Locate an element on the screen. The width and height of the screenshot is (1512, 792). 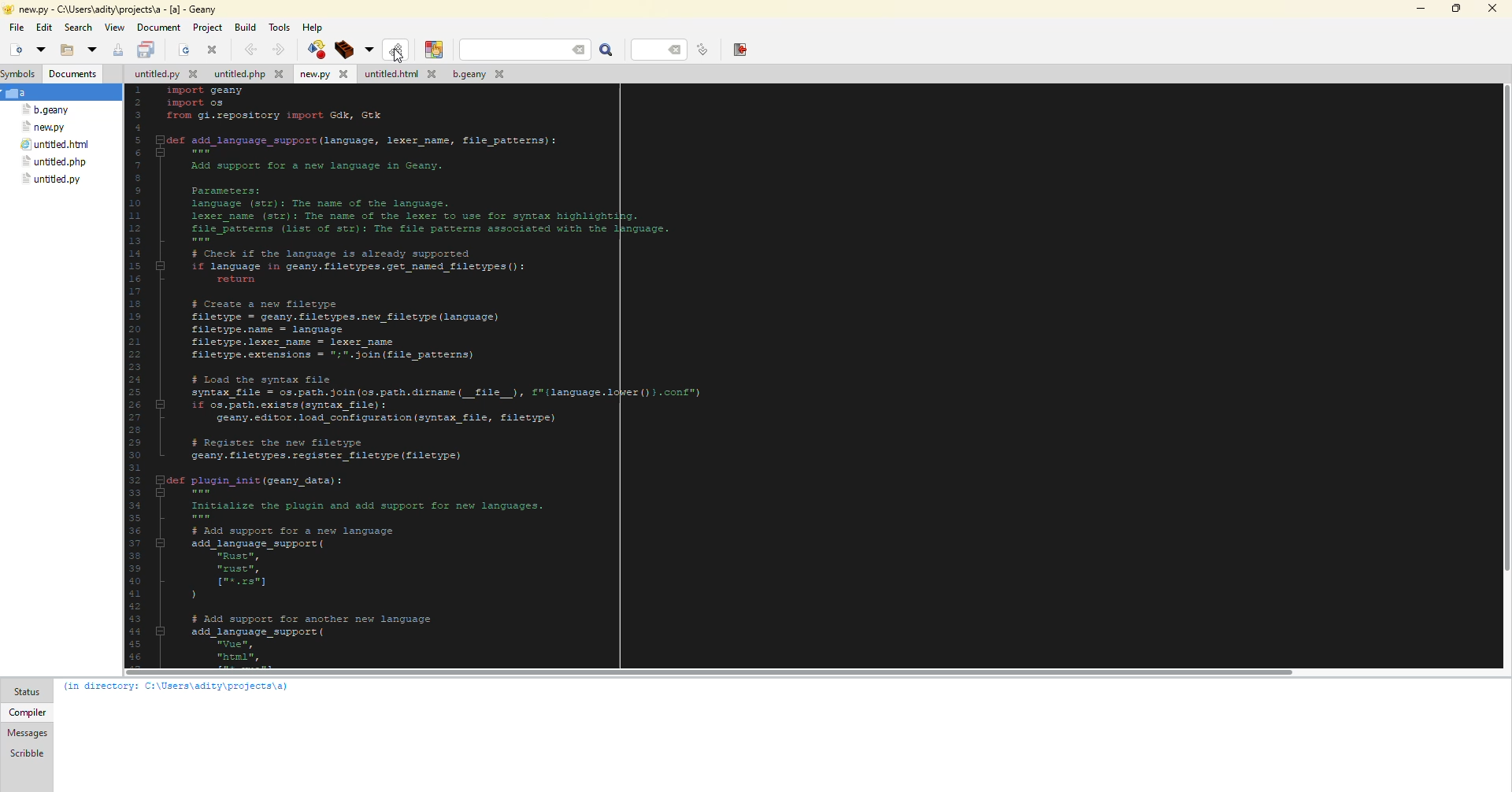
exit is located at coordinates (741, 50).